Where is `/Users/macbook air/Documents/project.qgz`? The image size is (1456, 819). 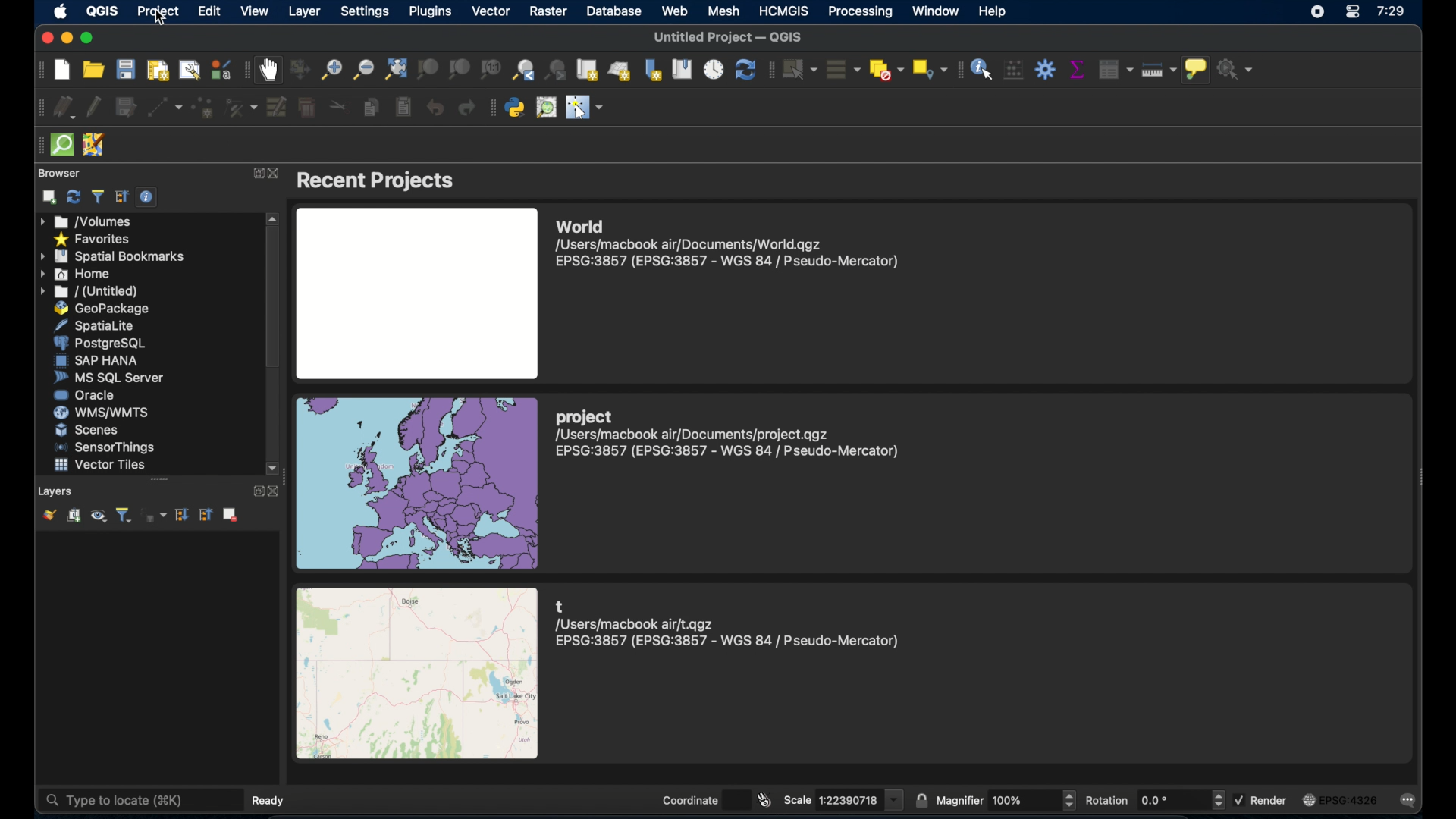
/Users/macbook air/Documents/project.qgz is located at coordinates (694, 435).